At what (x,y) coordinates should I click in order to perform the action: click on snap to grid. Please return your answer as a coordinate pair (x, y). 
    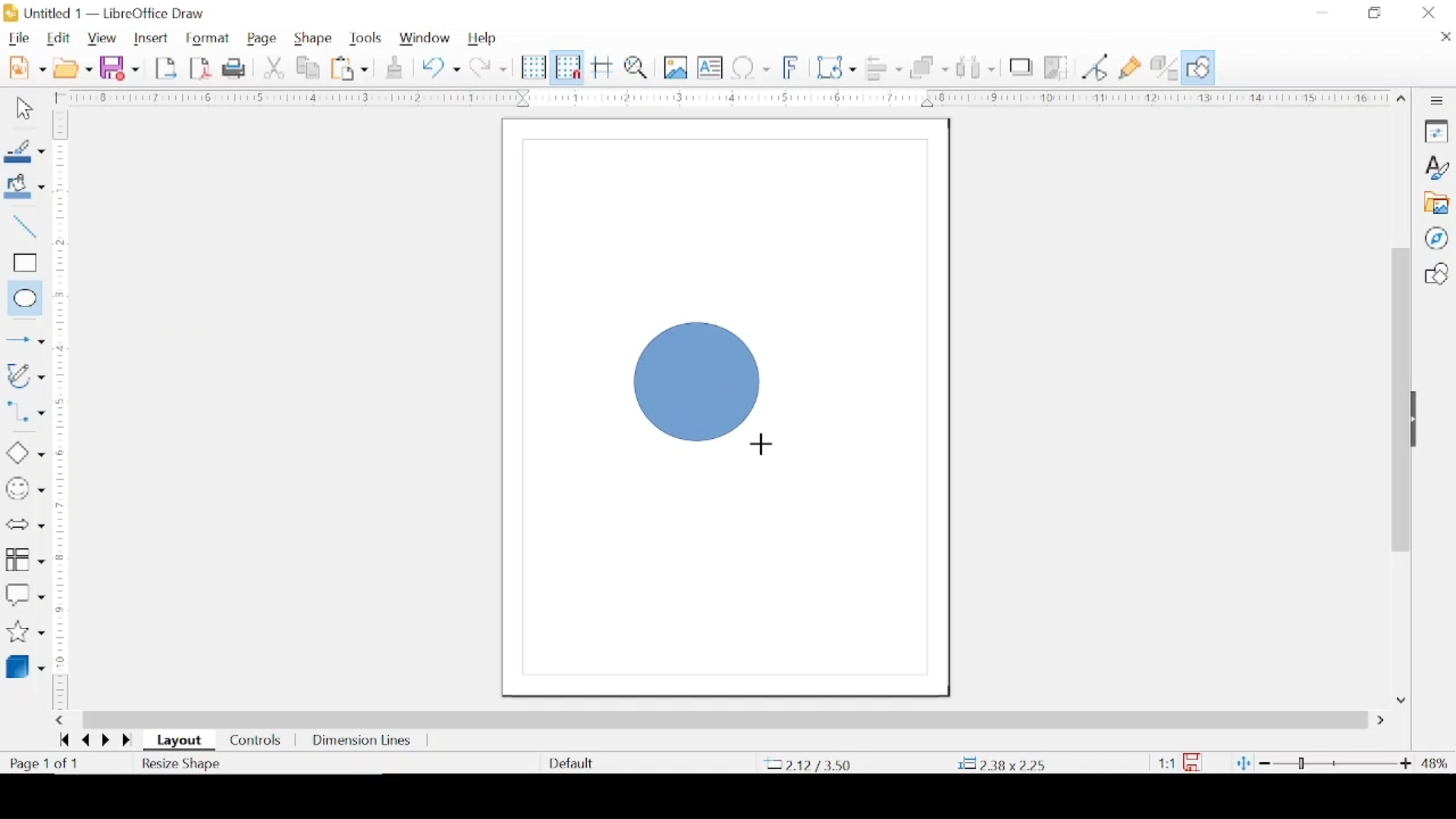
    Looking at the image, I should click on (566, 67).